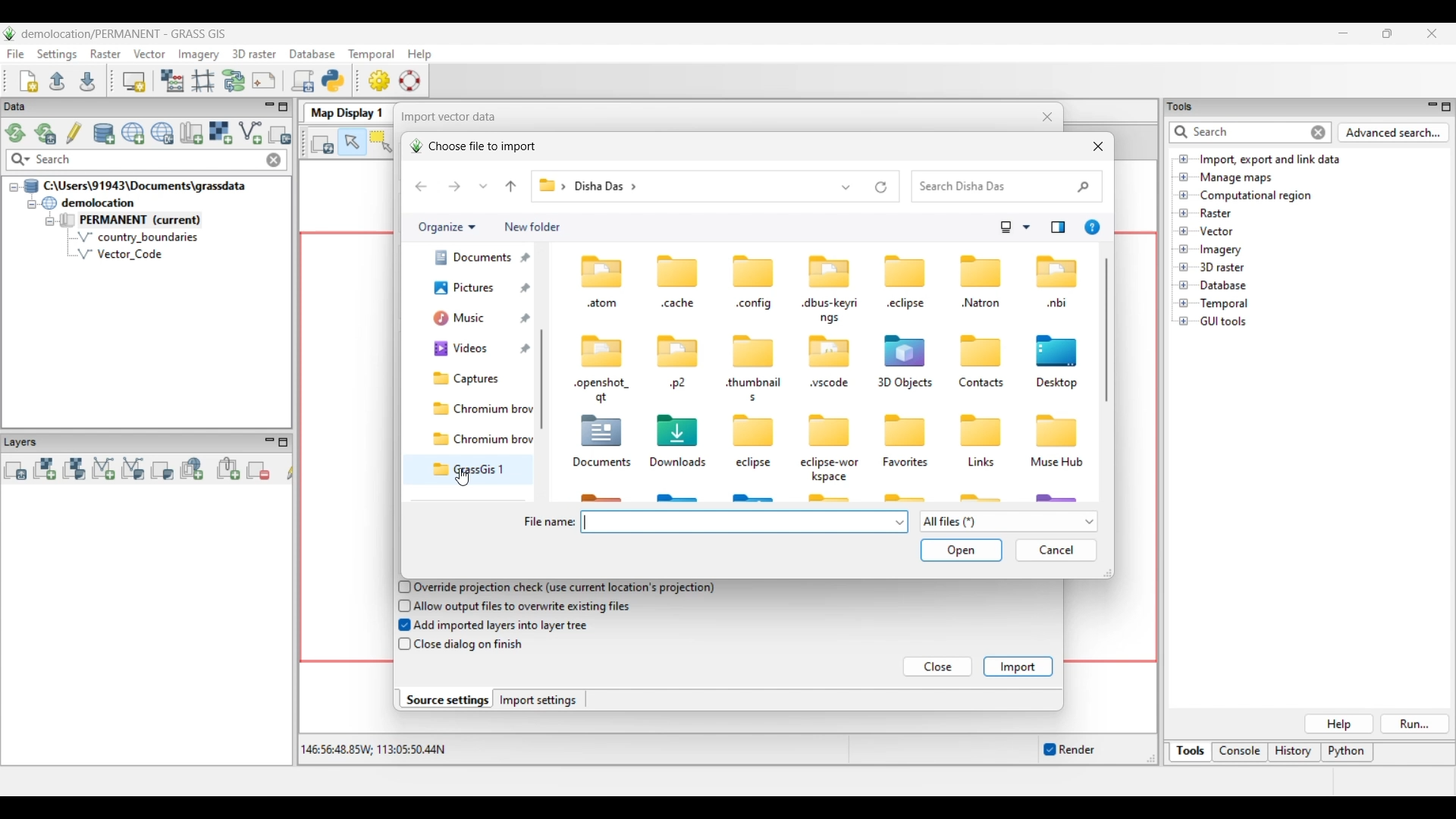 The width and height of the screenshot is (1456, 819). What do you see at coordinates (737, 522) in the screenshot?
I see `Type in file name` at bounding box center [737, 522].